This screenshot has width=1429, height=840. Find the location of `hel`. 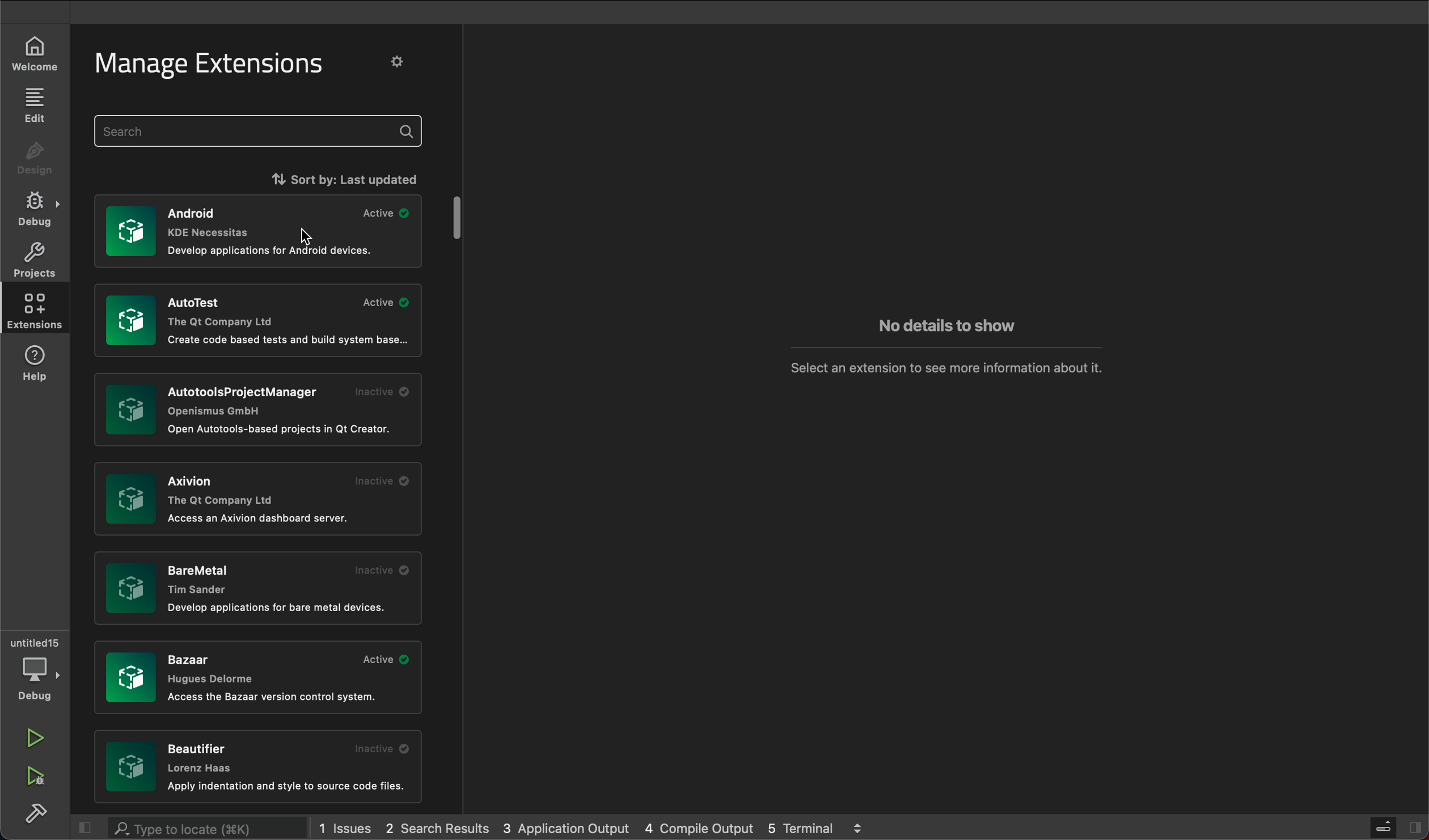

hel is located at coordinates (40, 363).